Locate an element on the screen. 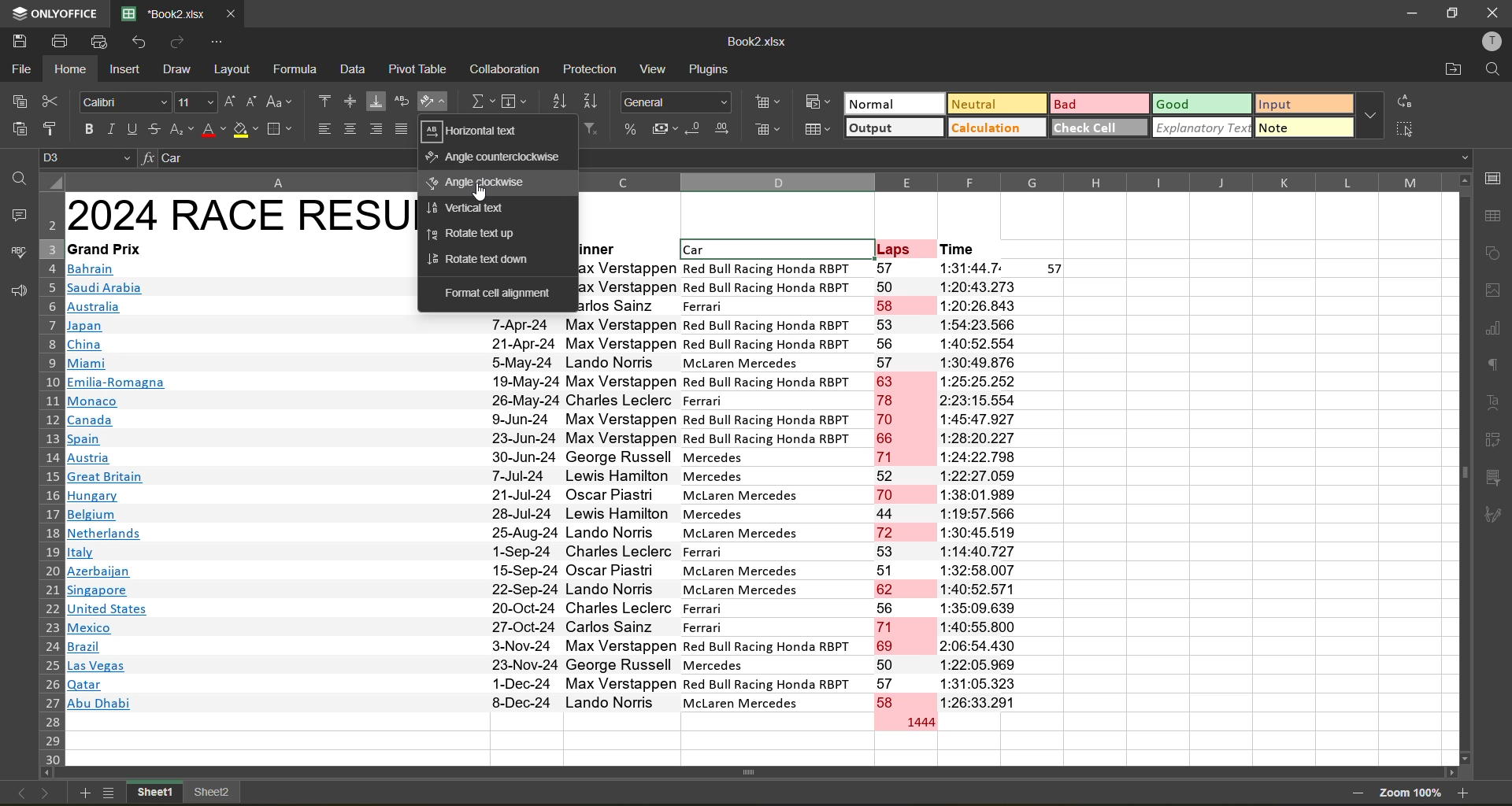 The height and width of the screenshot is (806, 1512). pivot table is located at coordinates (416, 71).